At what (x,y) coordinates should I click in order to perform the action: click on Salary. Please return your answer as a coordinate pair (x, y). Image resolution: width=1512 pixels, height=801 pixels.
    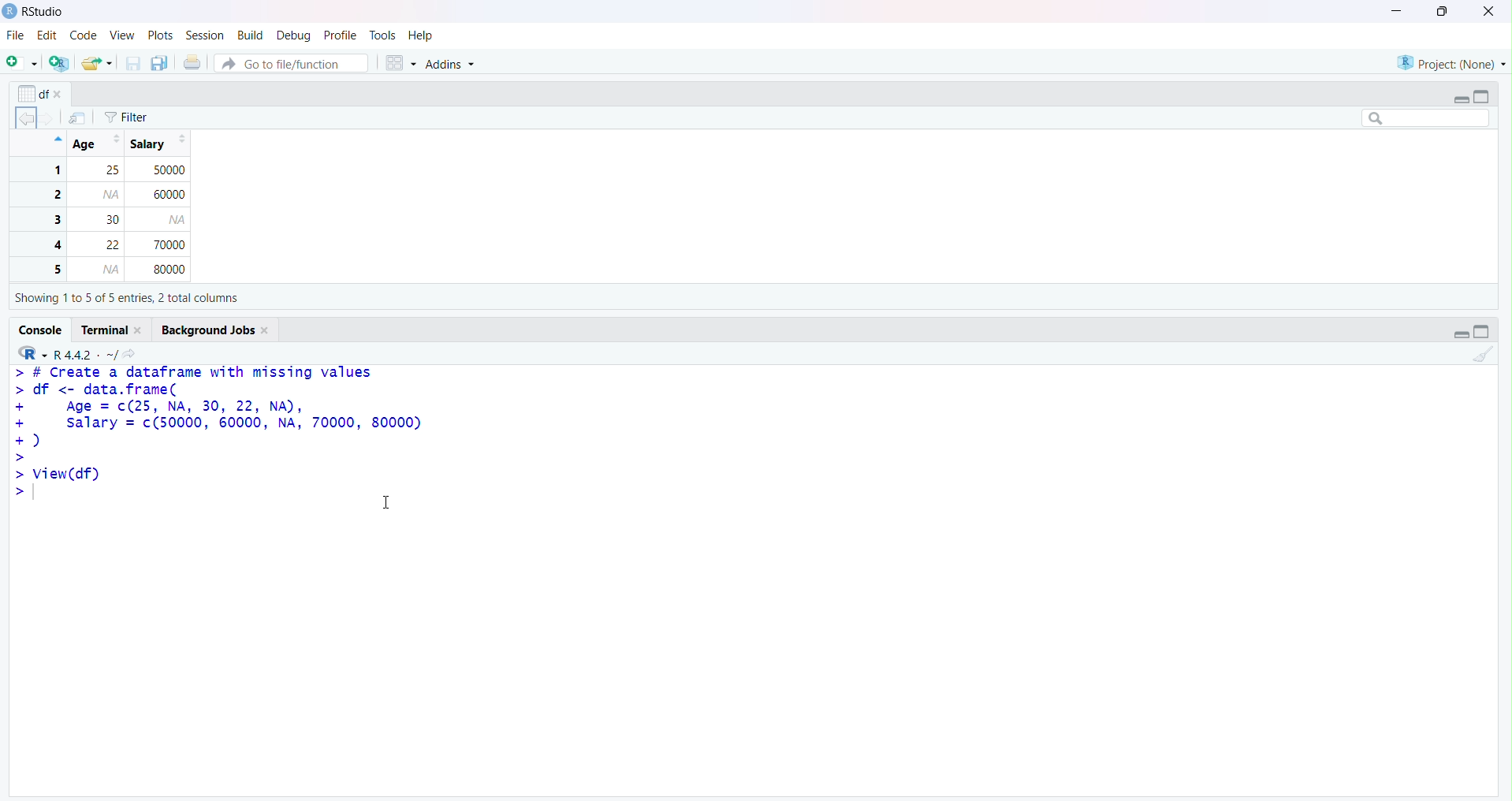
    Looking at the image, I should click on (155, 141).